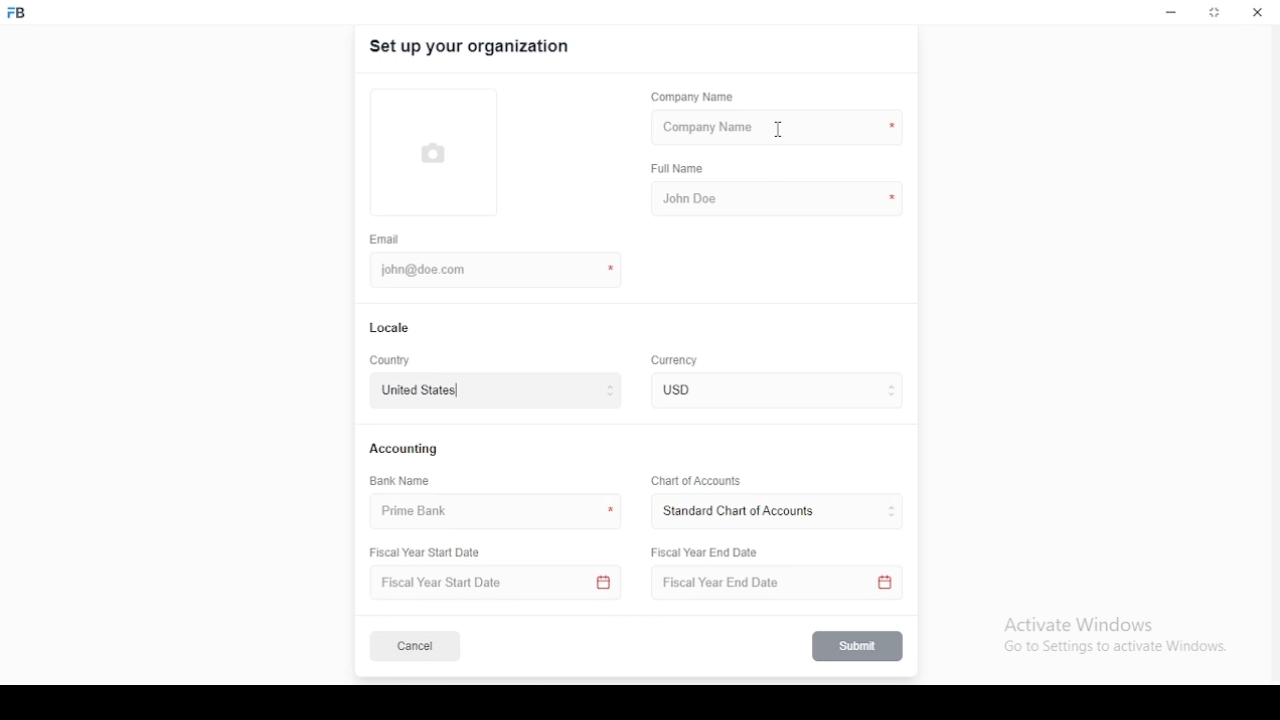 The height and width of the screenshot is (720, 1280). Describe the element at coordinates (391, 328) in the screenshot. I see `locale` at that location.